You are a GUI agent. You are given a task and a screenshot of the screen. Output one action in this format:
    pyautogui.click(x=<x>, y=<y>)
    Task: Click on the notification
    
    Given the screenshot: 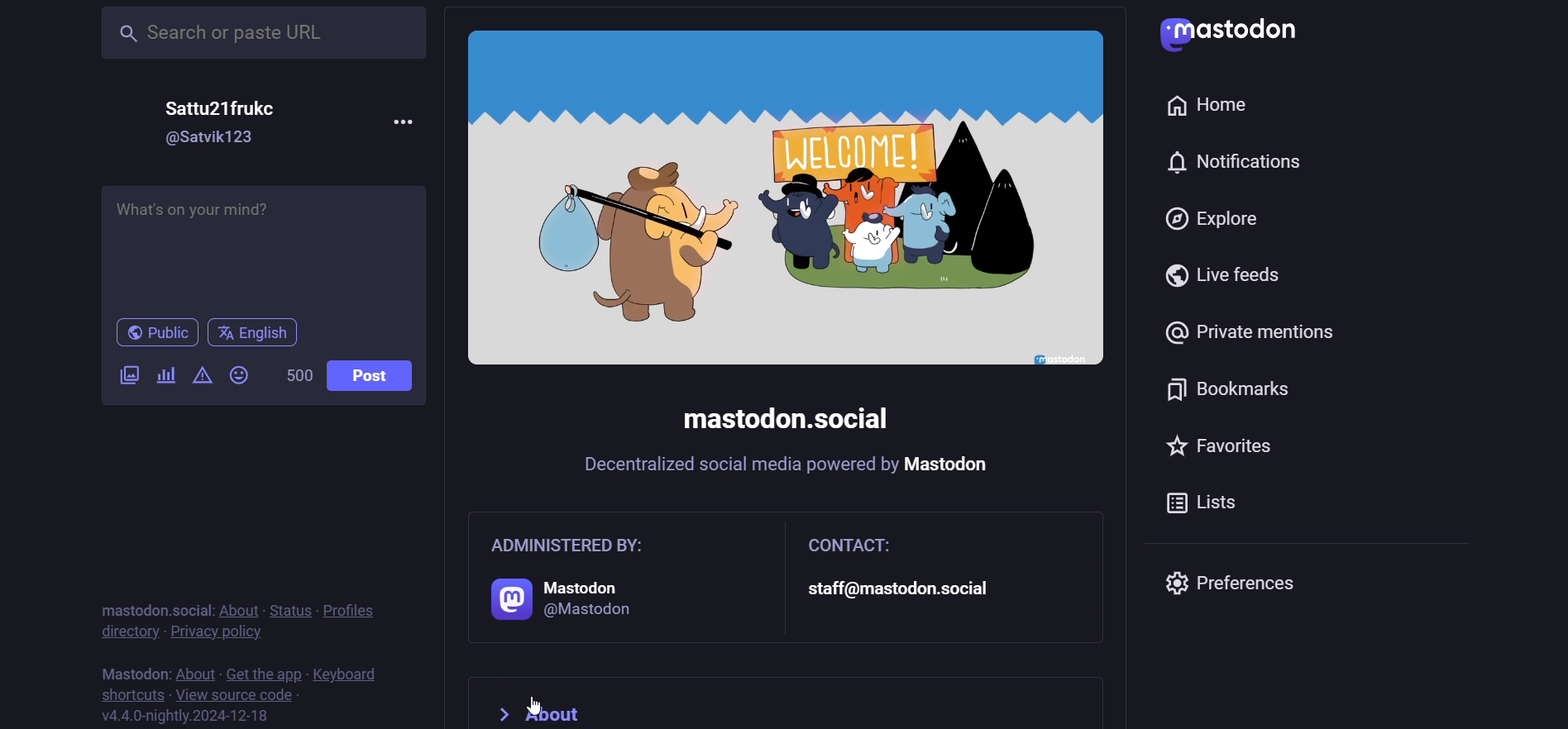 What is the action you would take?
    pyautogui.click(x=1244, y=163)
    